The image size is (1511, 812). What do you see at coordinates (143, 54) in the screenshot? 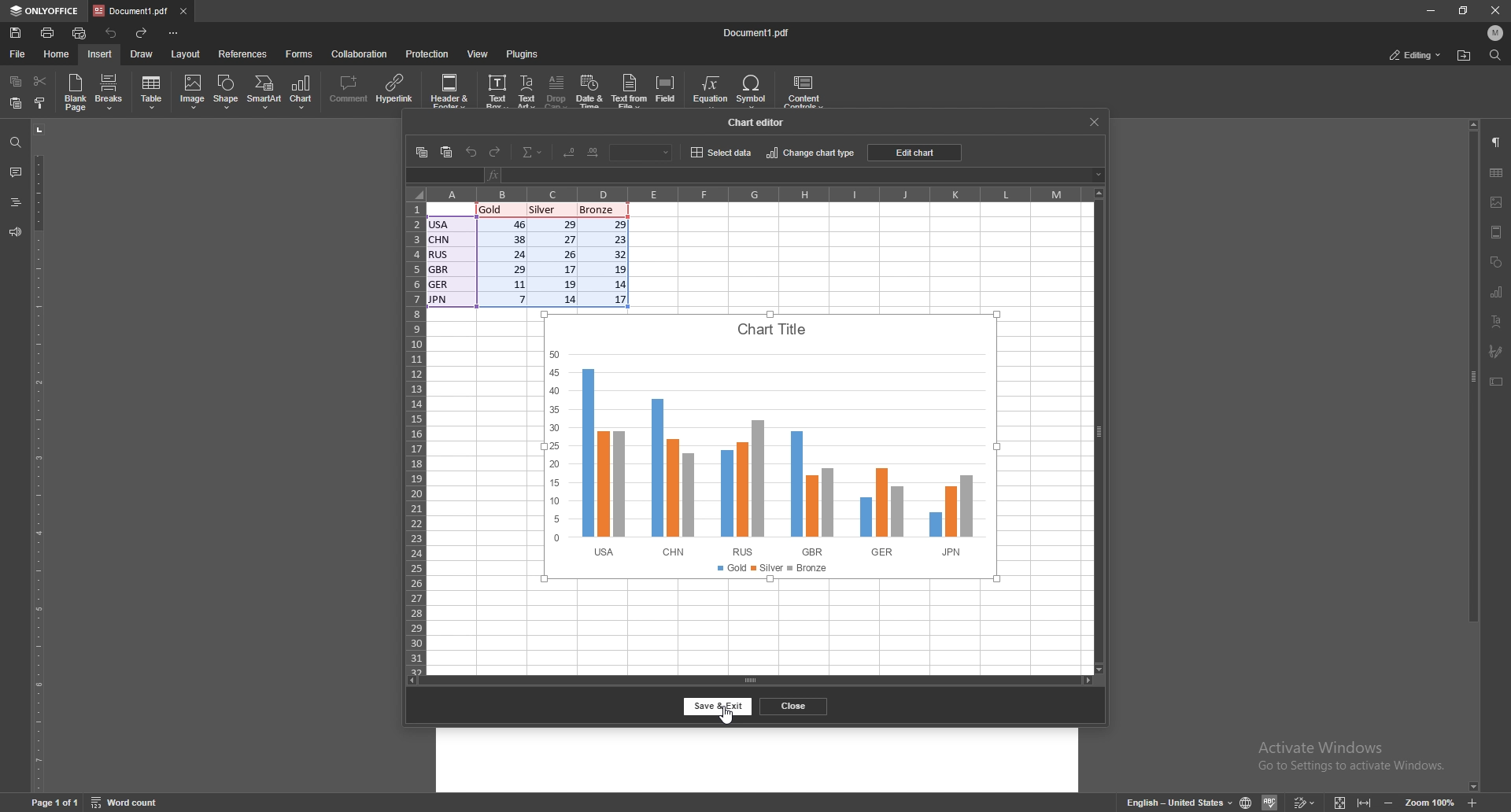
I see `draw` at bounding box center [143, 54].